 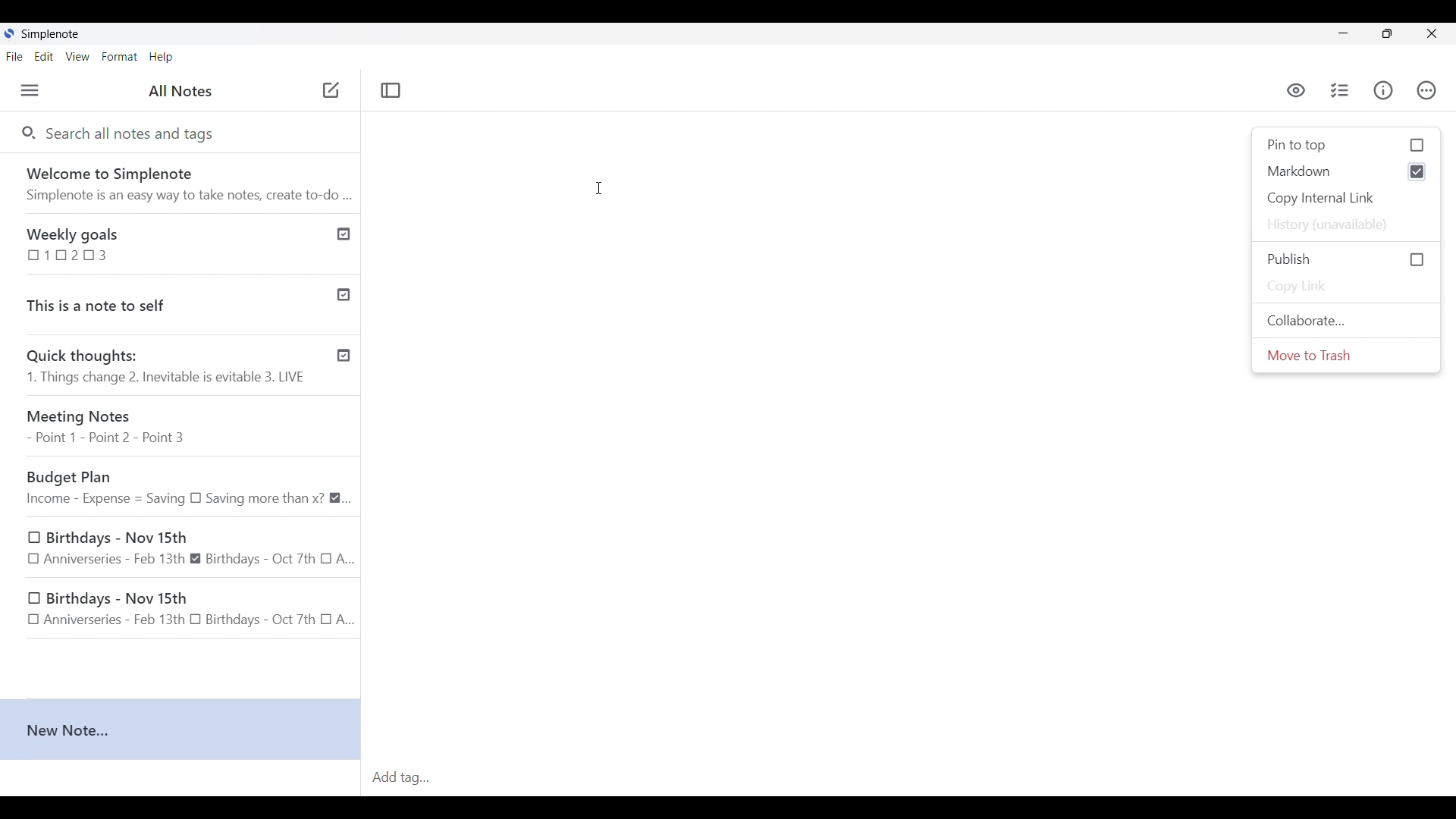 What do you see at coordinates (1346, 146) in the screenshot?
I see `Click to Pin to top` at bounding box center [1346, 146].